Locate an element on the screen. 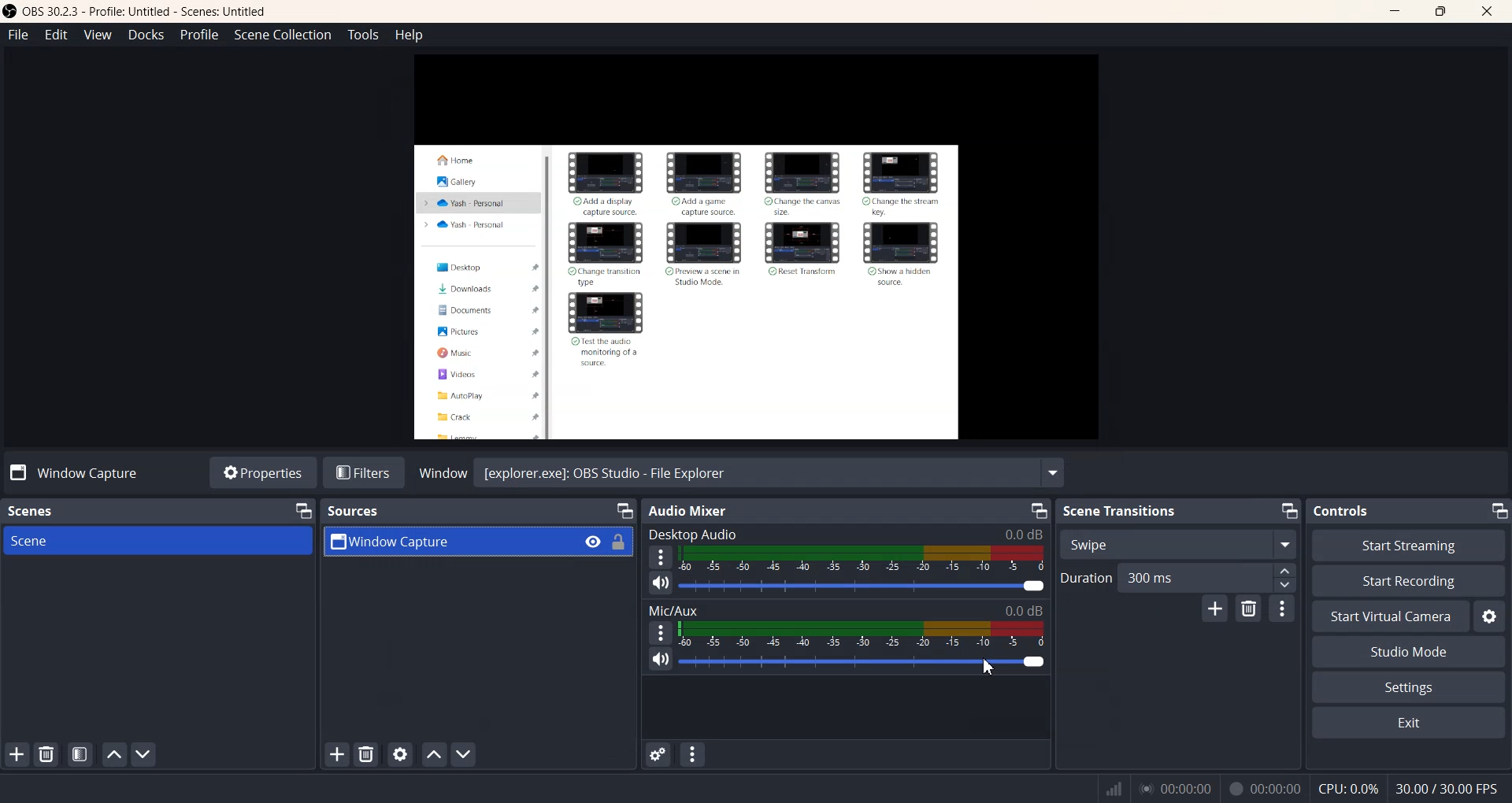 The image size is (1512, 803). Minimize is located at coordinates (1398, 12).